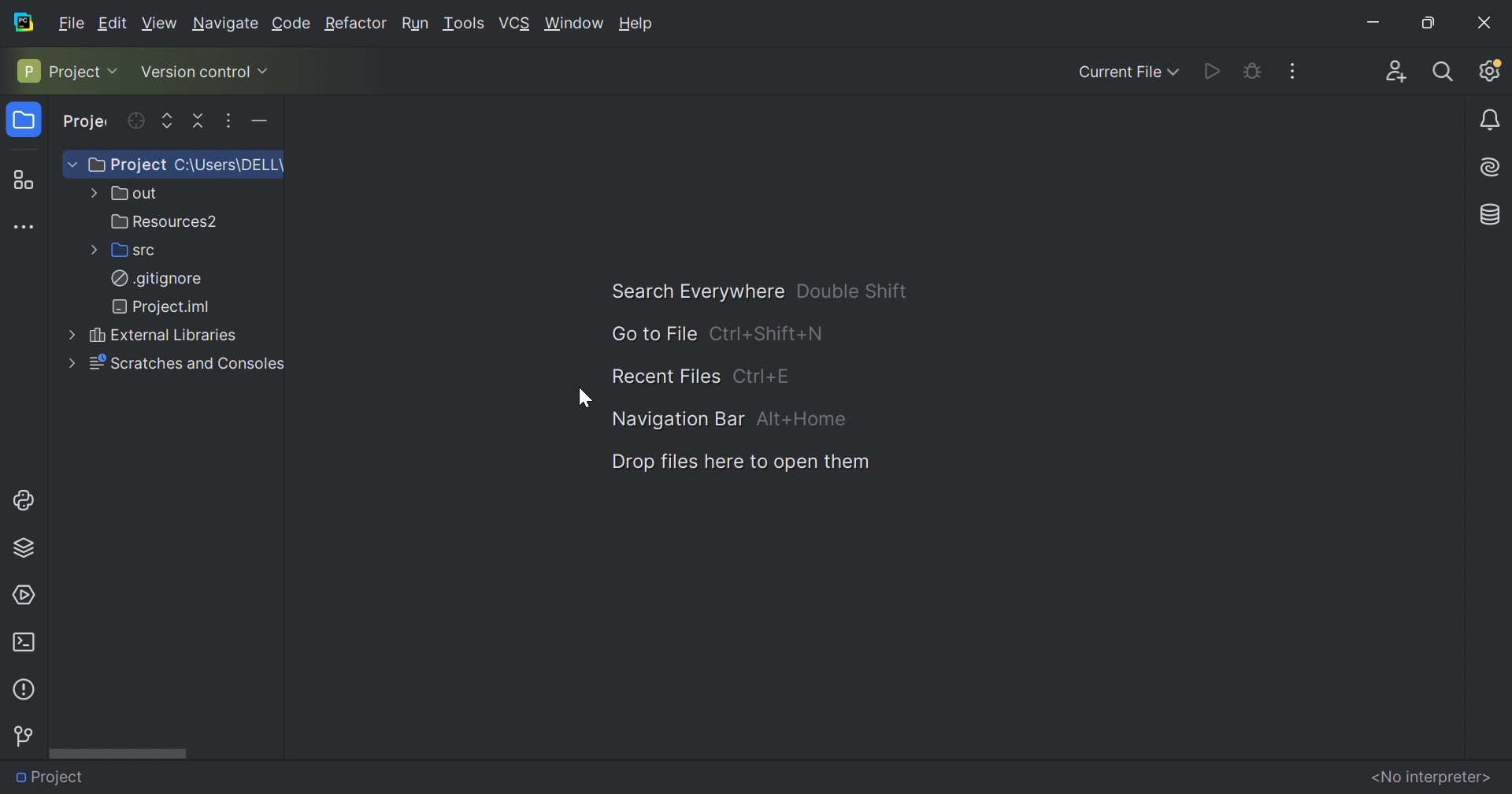 This screenshot has height=794, width=1512. I want to click on Run PythonProgram.py, so click(1213, 70).